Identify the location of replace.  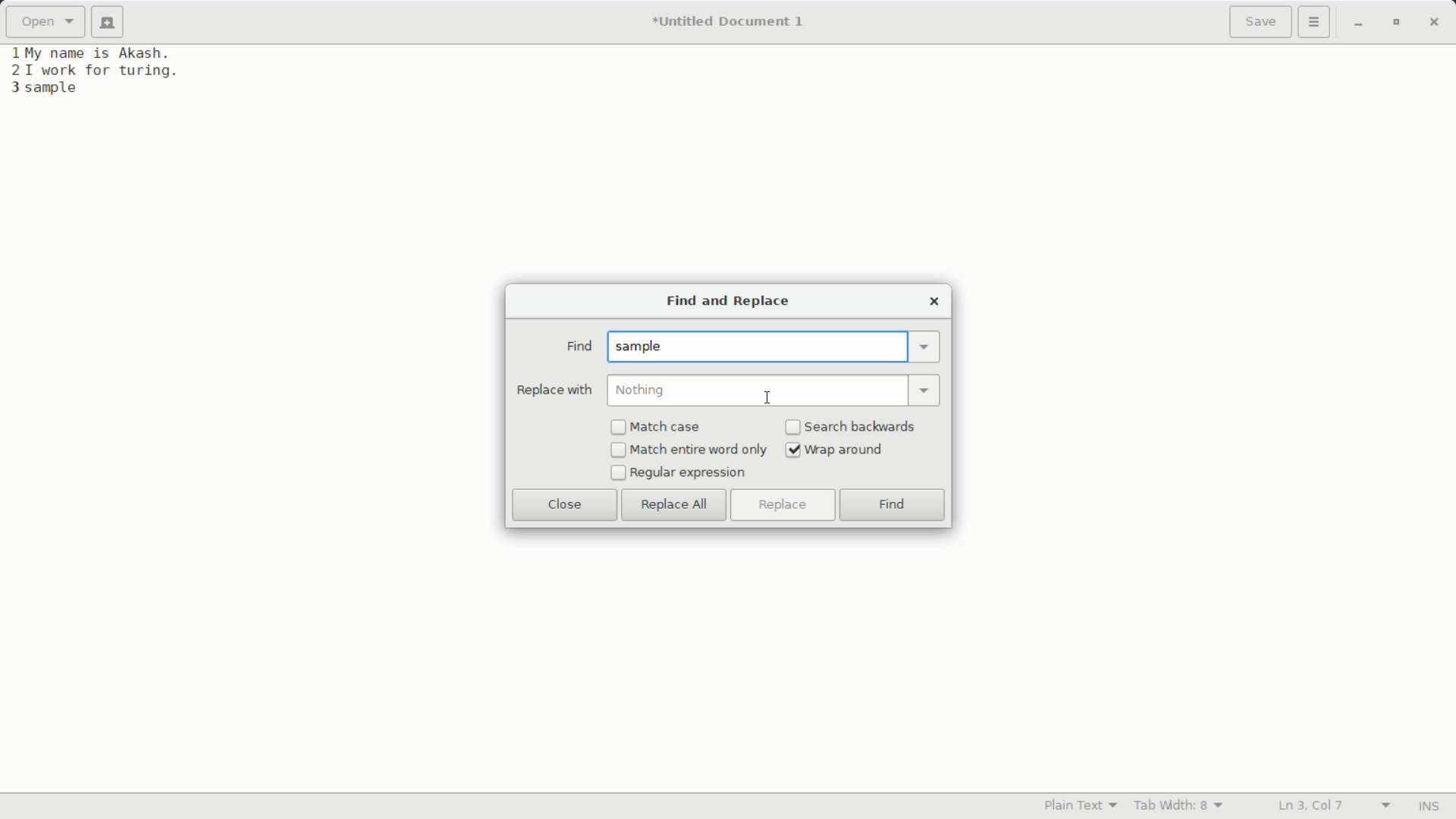
(781, 505).